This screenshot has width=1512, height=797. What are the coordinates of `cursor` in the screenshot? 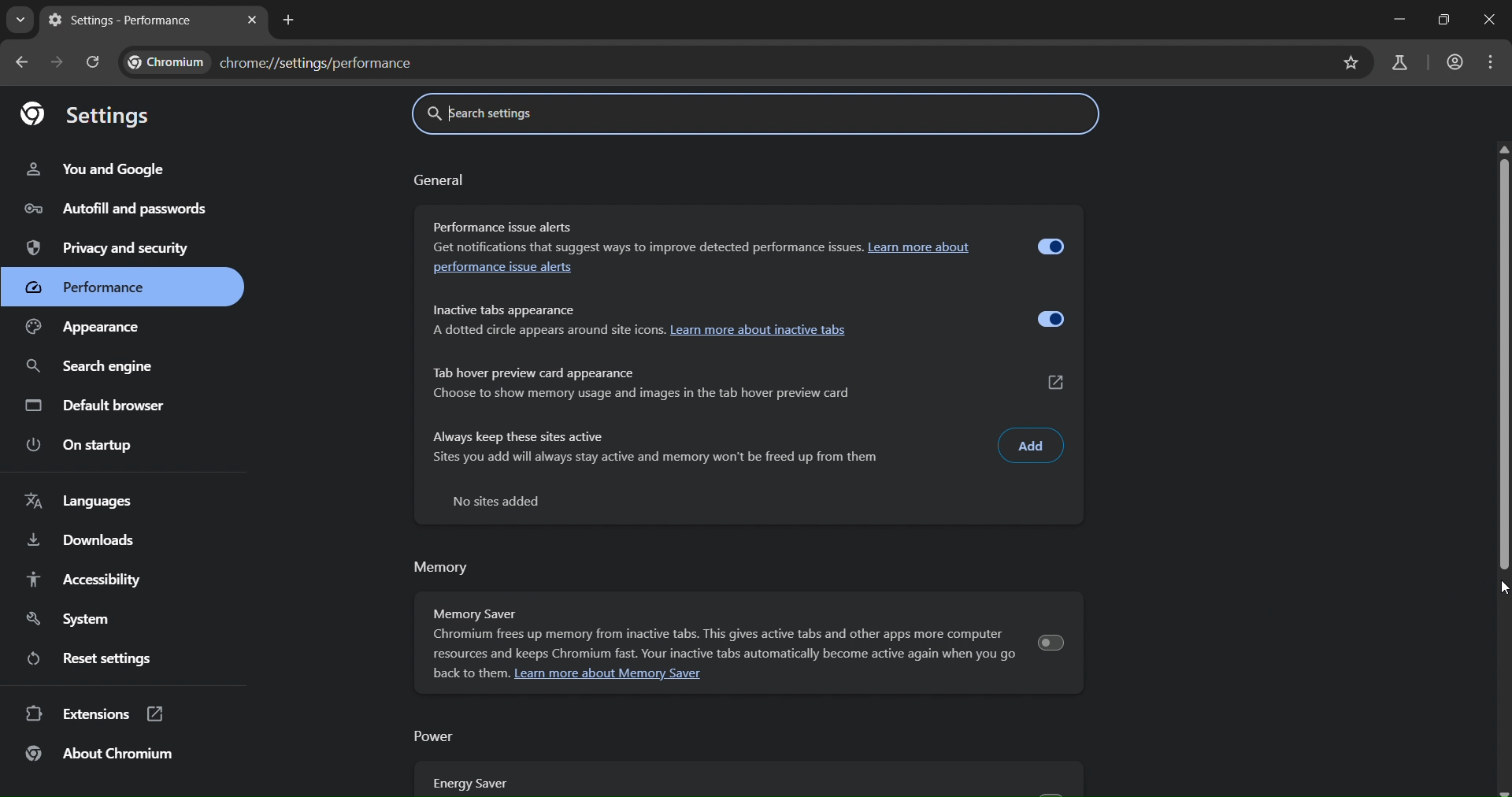 It's located at (1499, 591).